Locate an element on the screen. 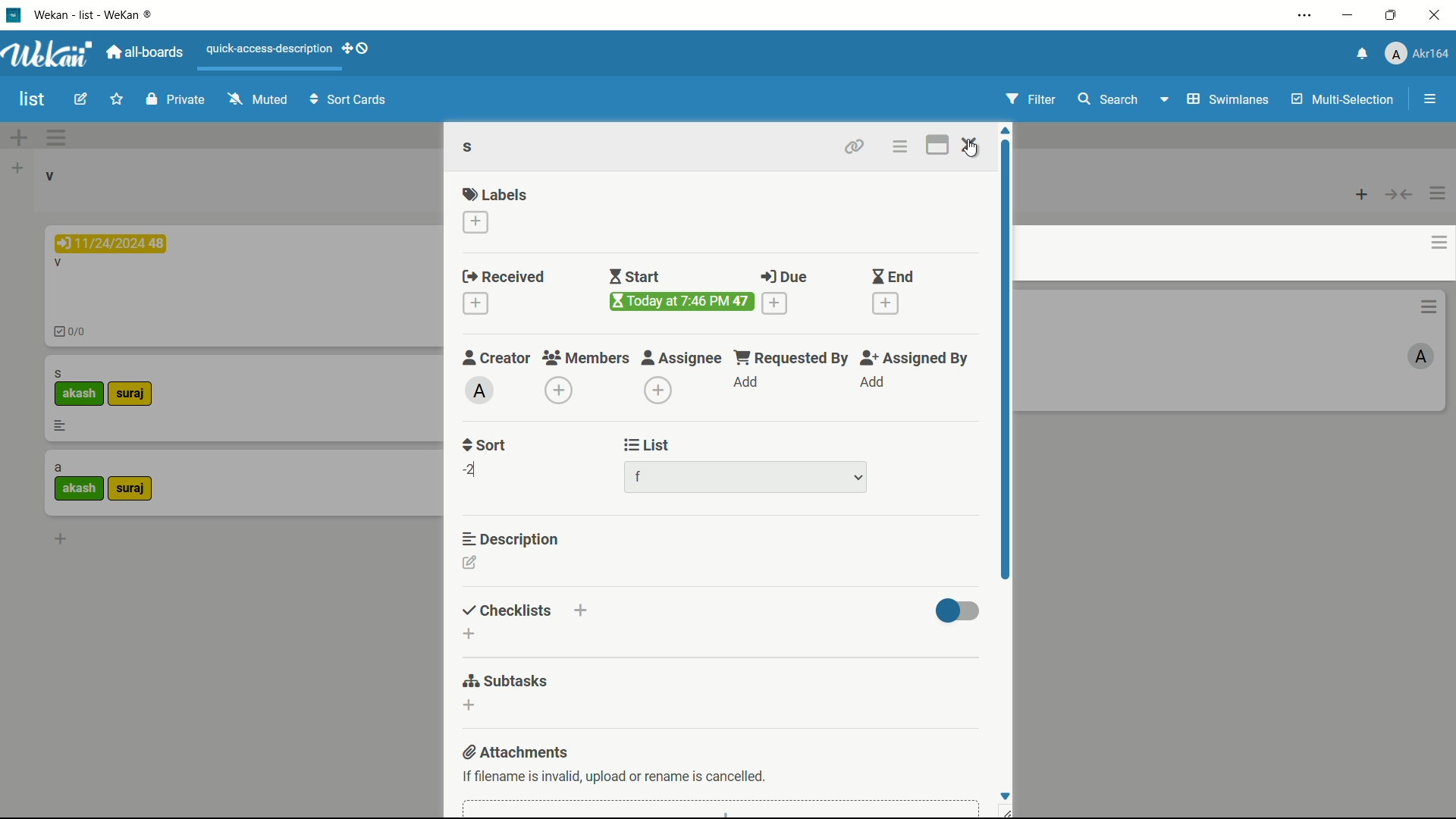  attachments is located at coordinates (513, 752).